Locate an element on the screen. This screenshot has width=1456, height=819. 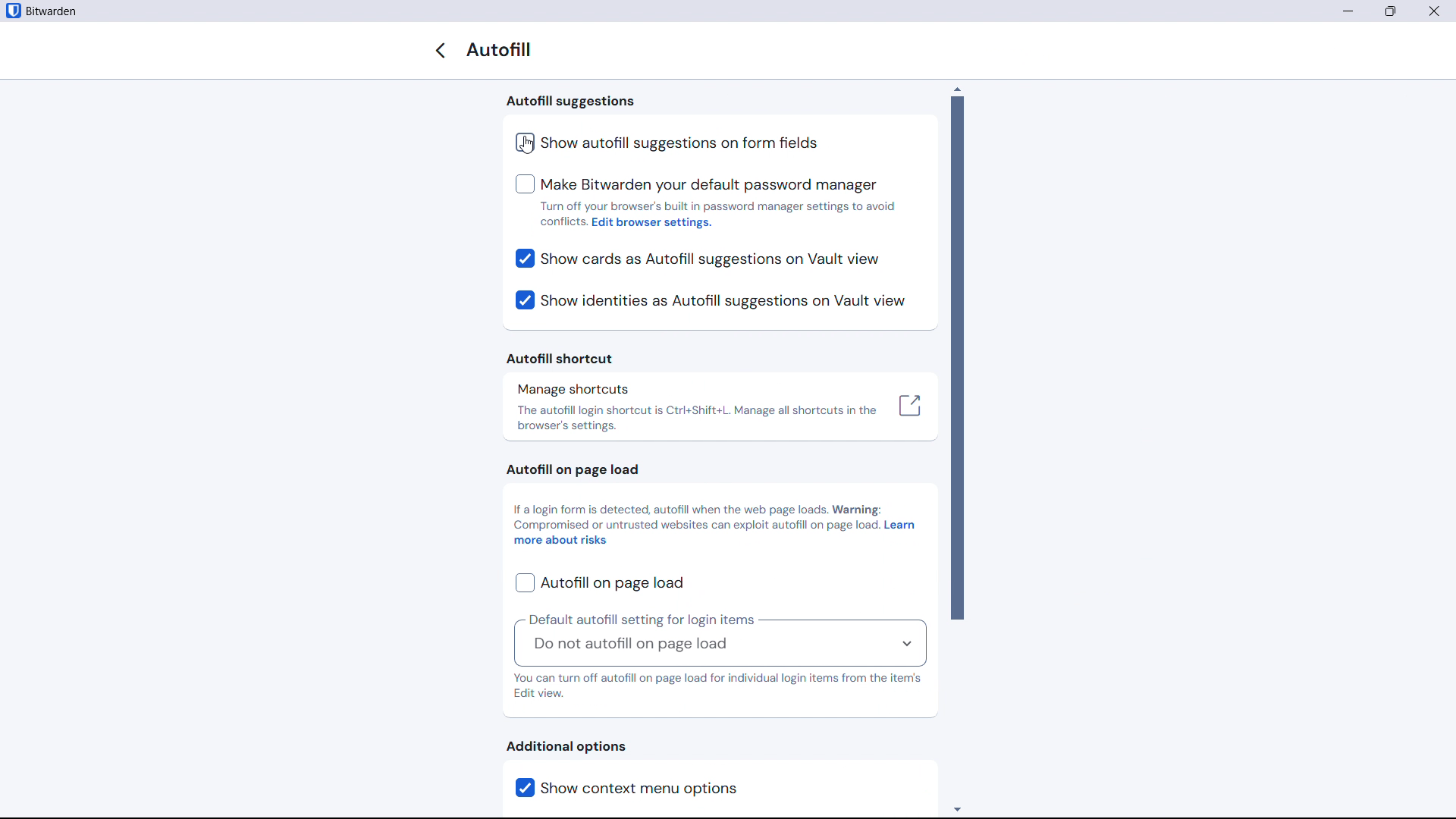
Turn off your browser's built in password manager settings to avoid is located at coordinates (720, 206).